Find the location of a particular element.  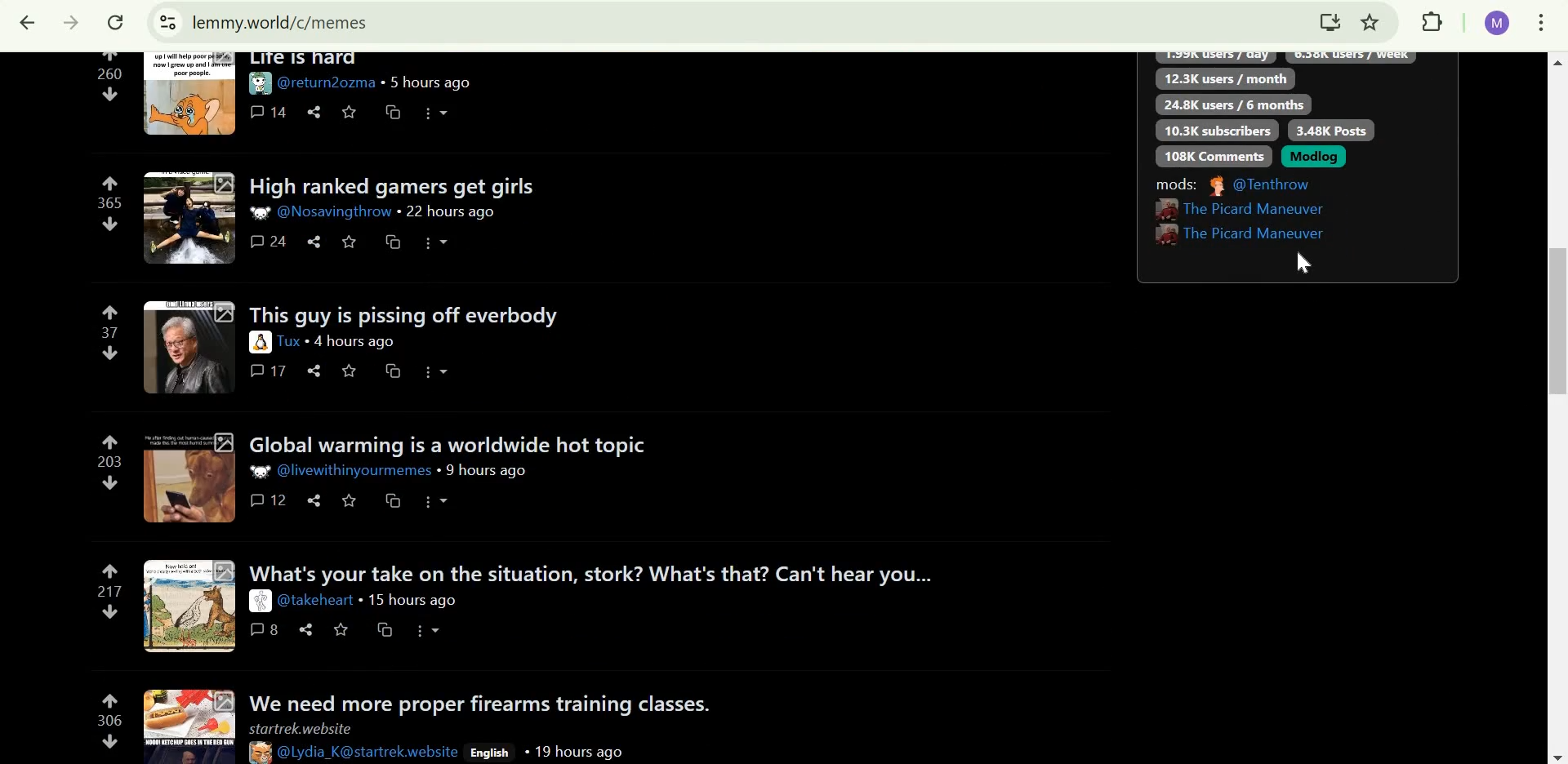

Click to go back, hold to see history is located at coordinates (27, 25).